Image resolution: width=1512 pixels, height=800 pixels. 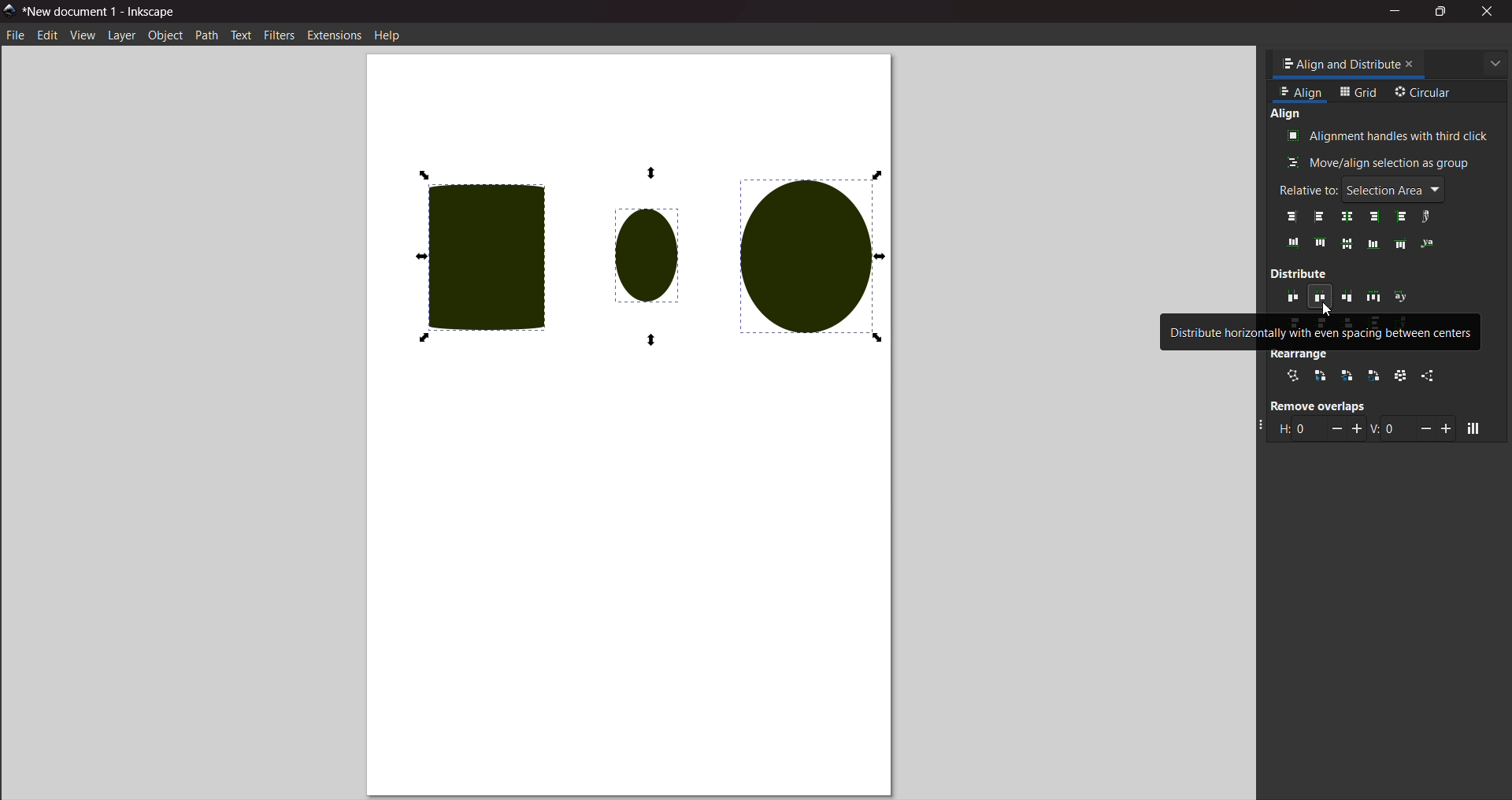 What do you see at coordinates (1498, 64) in the screenshot?
I see `more` at bounding box center [1498, 64].